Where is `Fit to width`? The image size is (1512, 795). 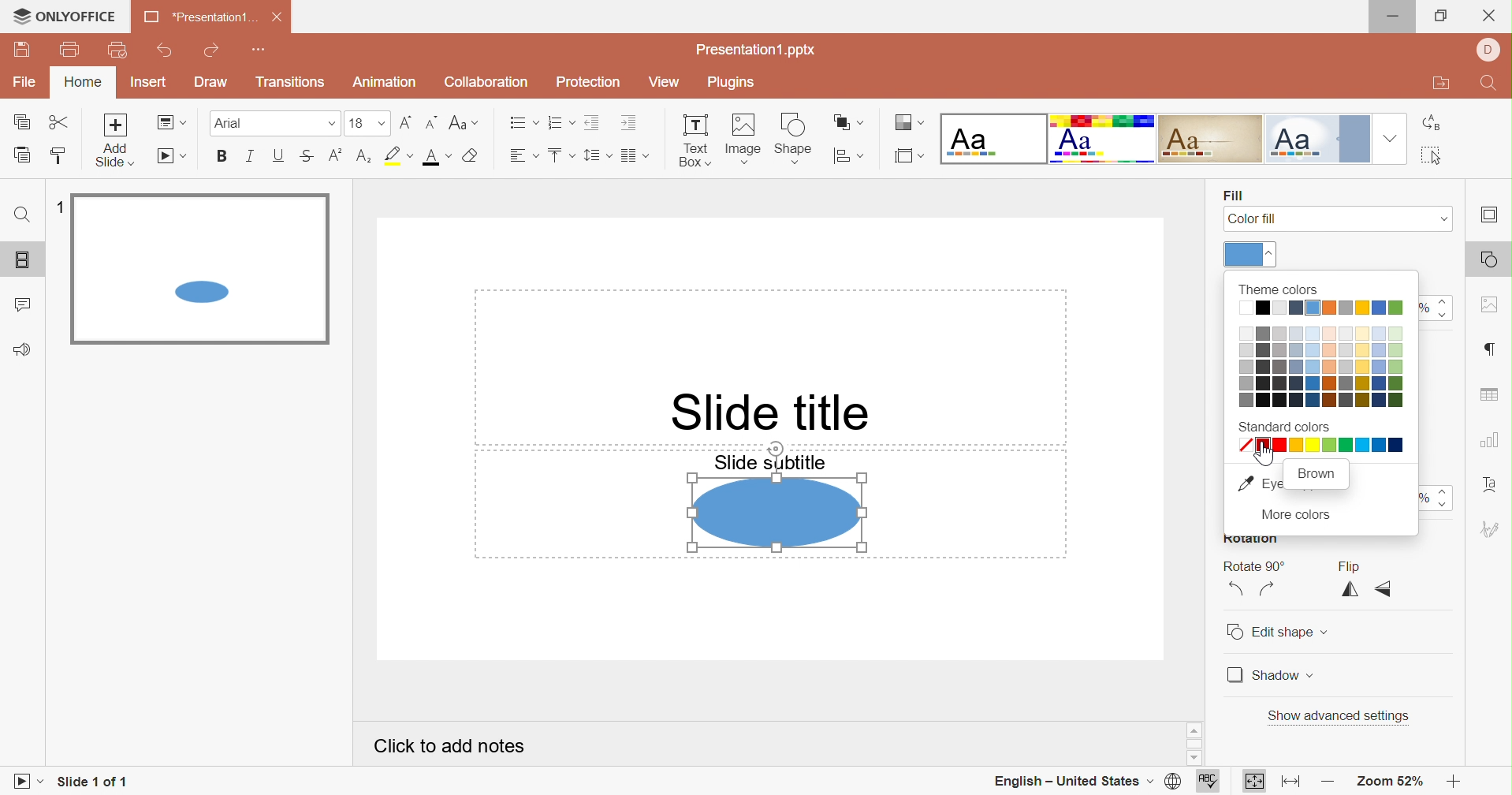
Fit to width is located at coordinates (1293, 784).